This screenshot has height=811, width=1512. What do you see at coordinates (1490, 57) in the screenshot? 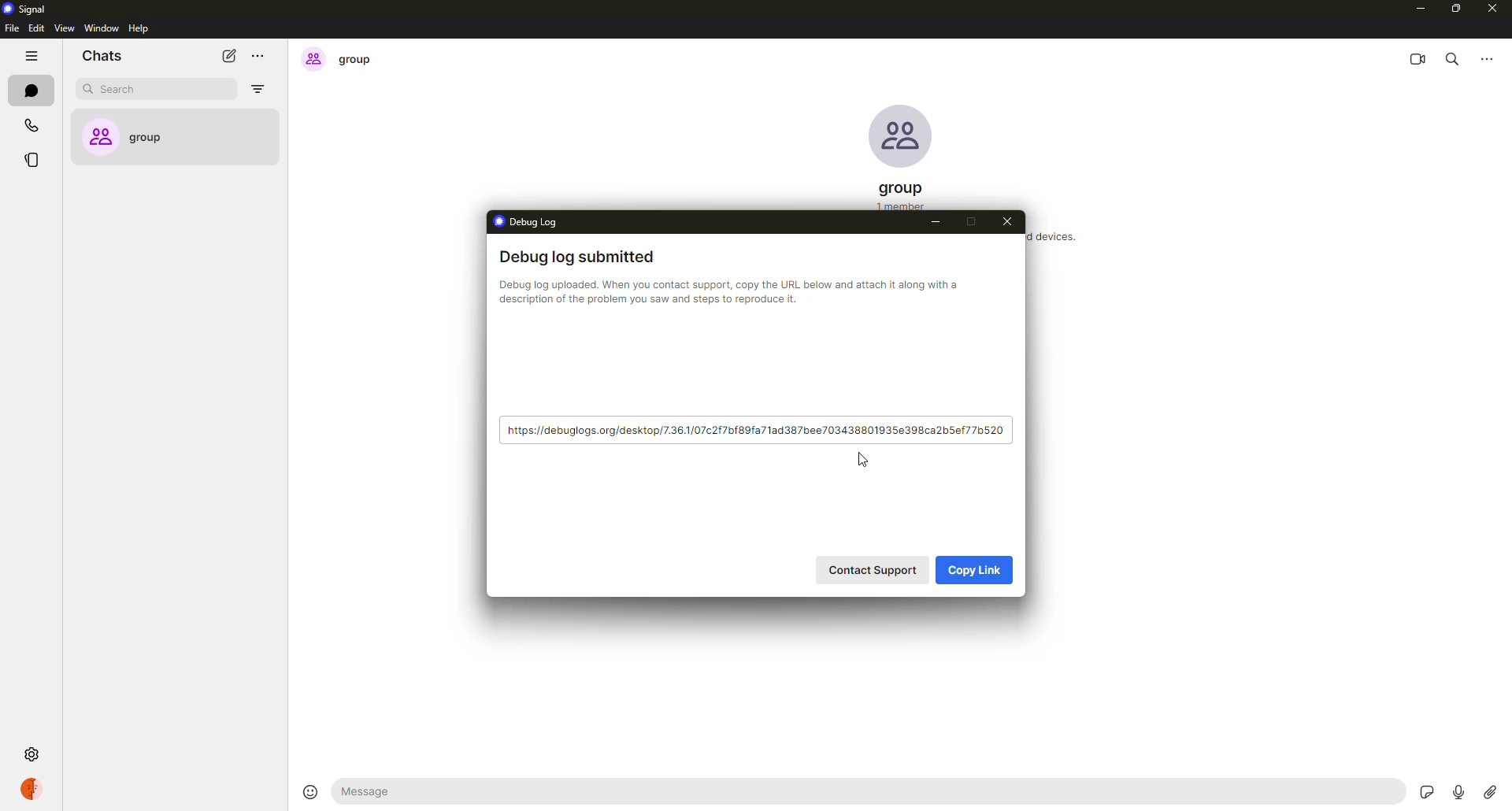
I see `more` at bounding box center [1490, 57].